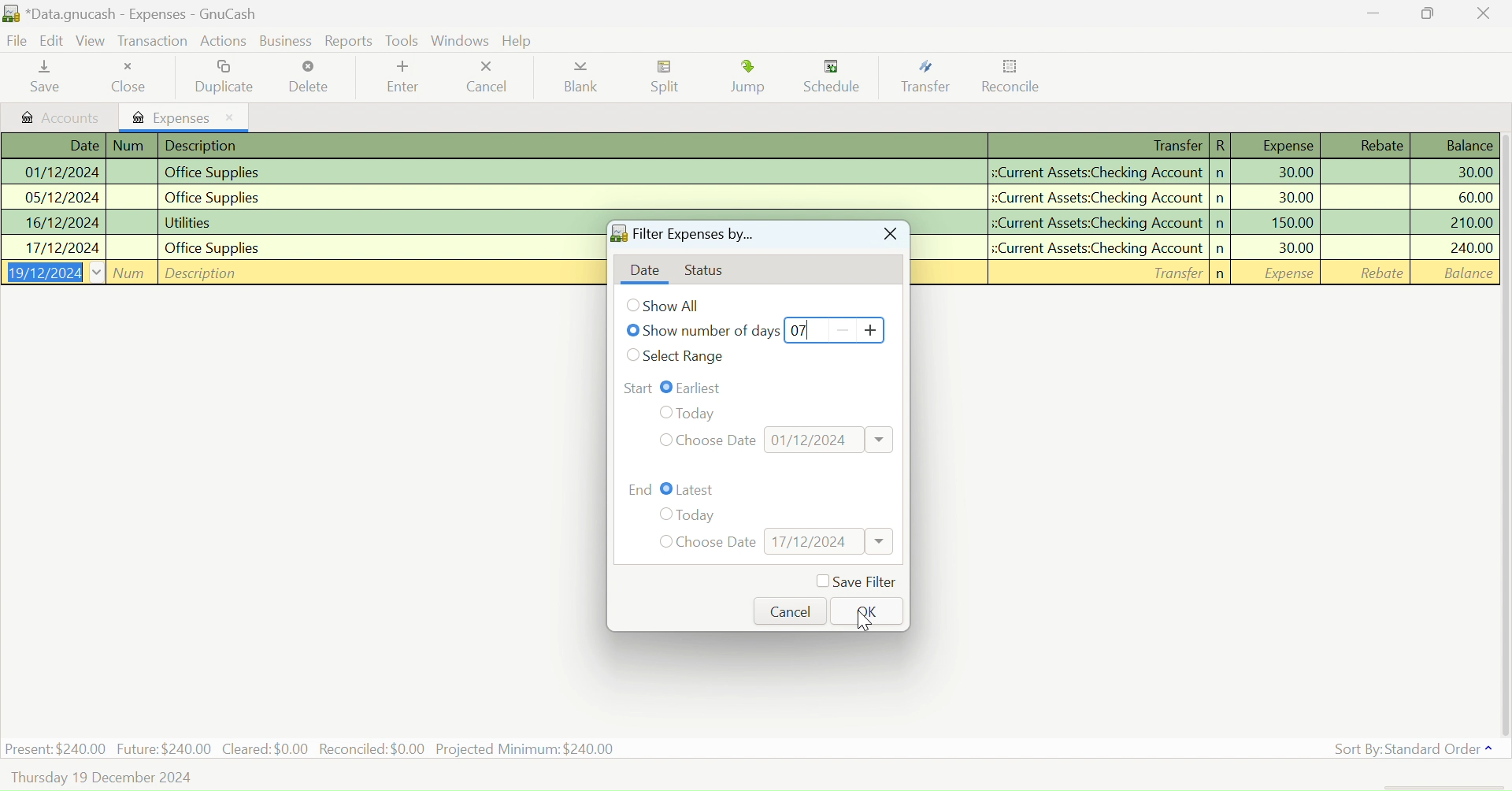  What do you see at coordinates (864, 610) in the screenshot?
I see `OK` at bounding box center [864, 610].